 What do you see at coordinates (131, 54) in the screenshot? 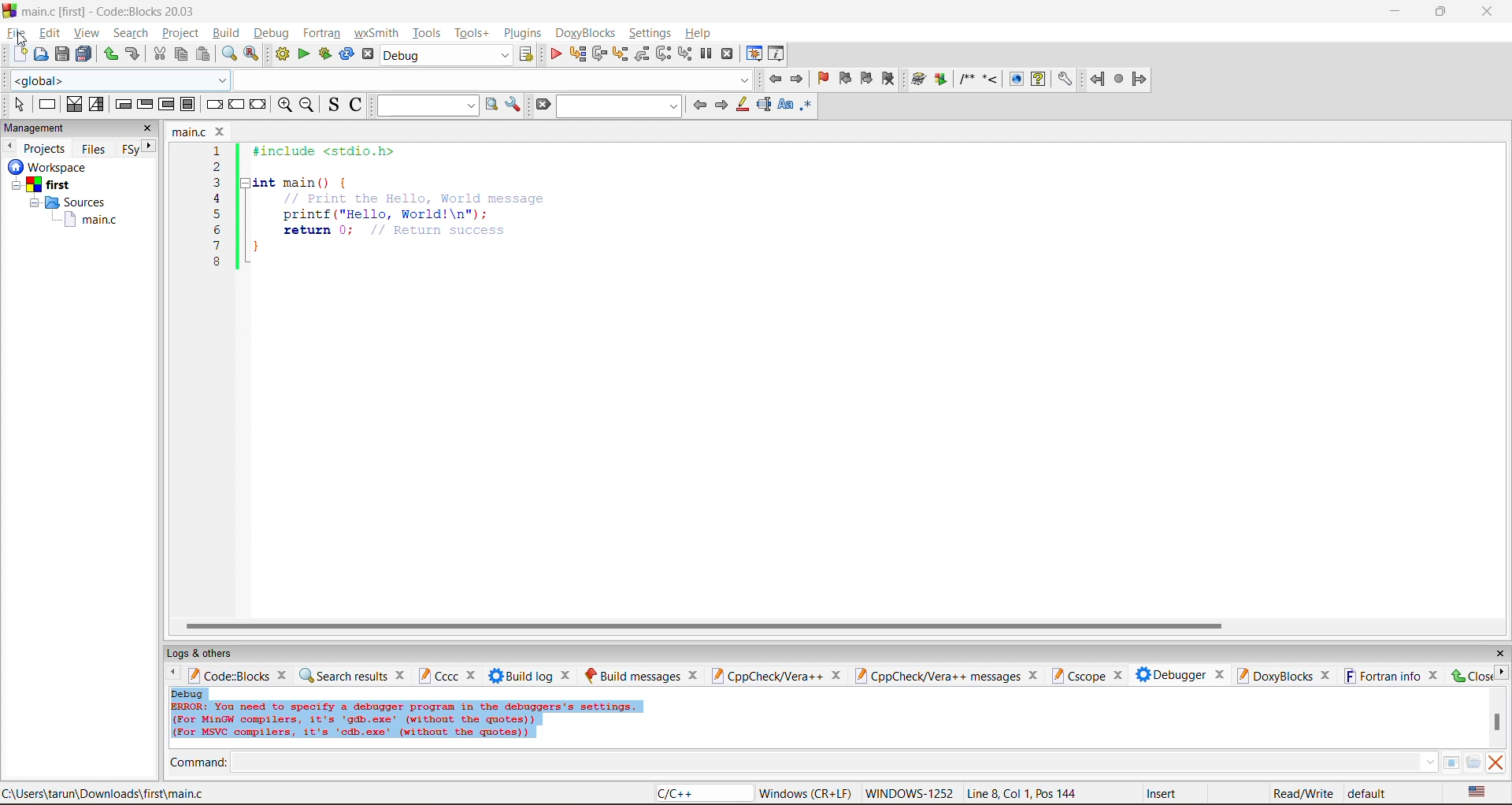
I see `undo` at bounding box center [131, 54].